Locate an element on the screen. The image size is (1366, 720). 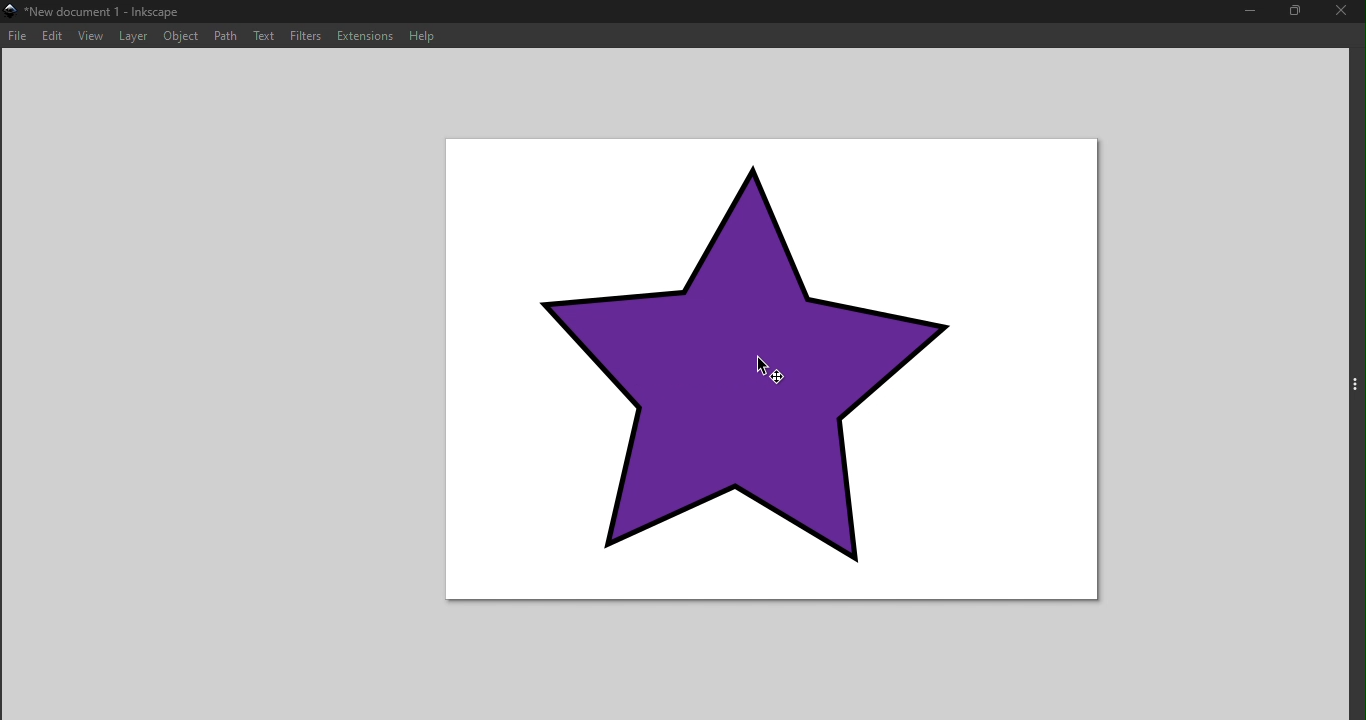
Extensions is located at coordinates (363, 36).